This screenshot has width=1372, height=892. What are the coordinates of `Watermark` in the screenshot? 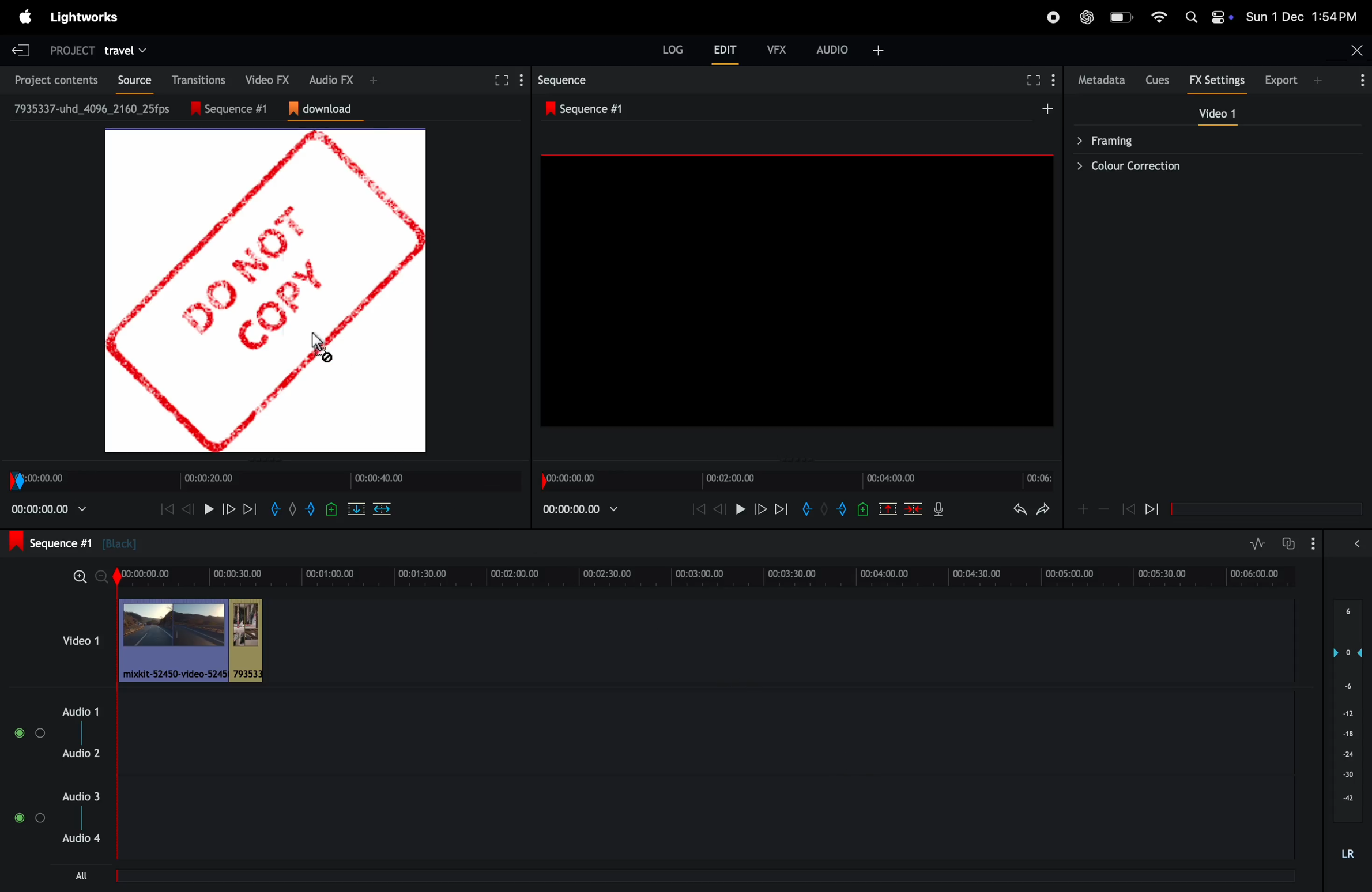 It's located at (265, 291).